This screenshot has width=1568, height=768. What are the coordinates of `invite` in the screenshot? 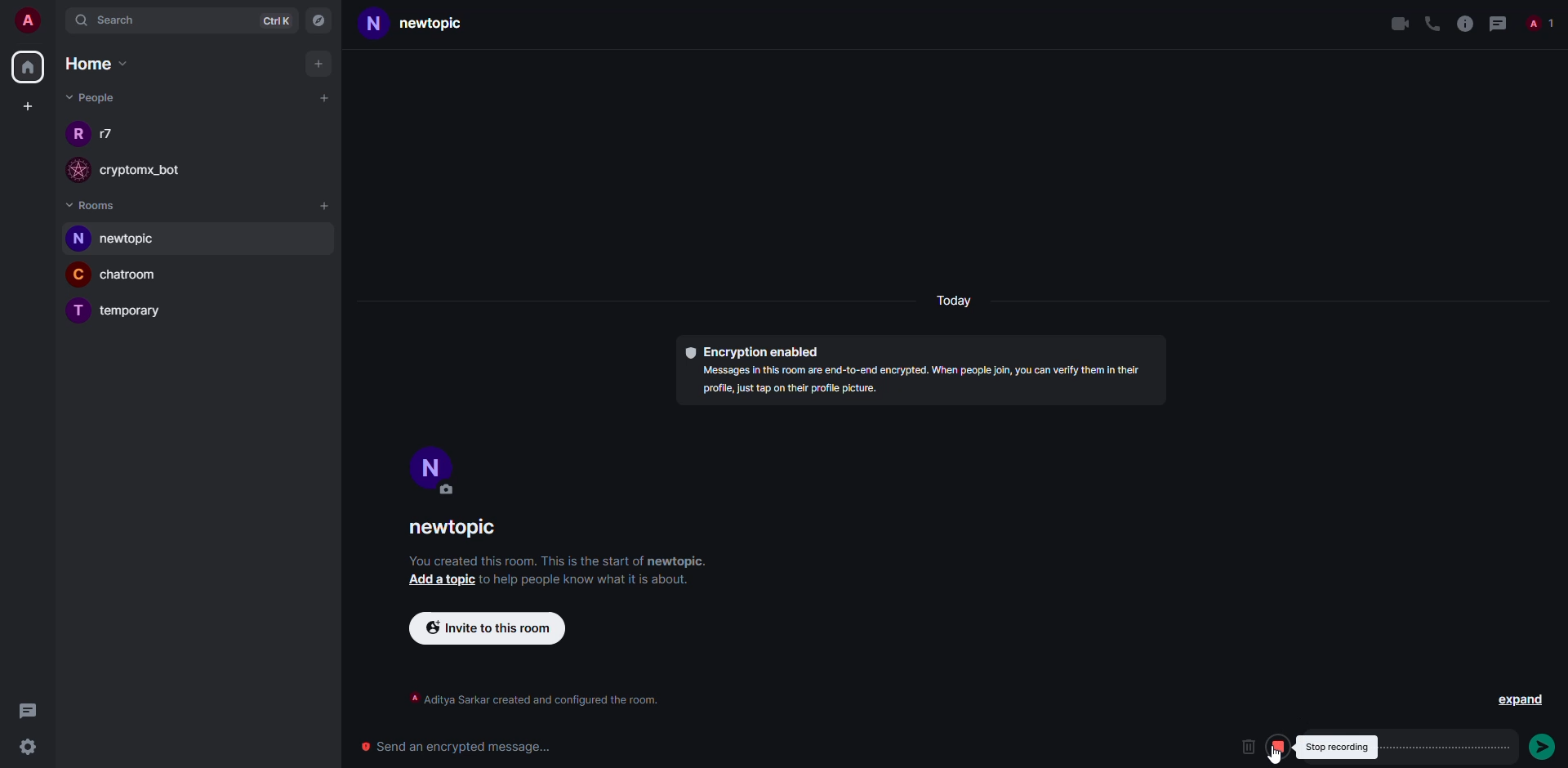 It's located at (491, 627).